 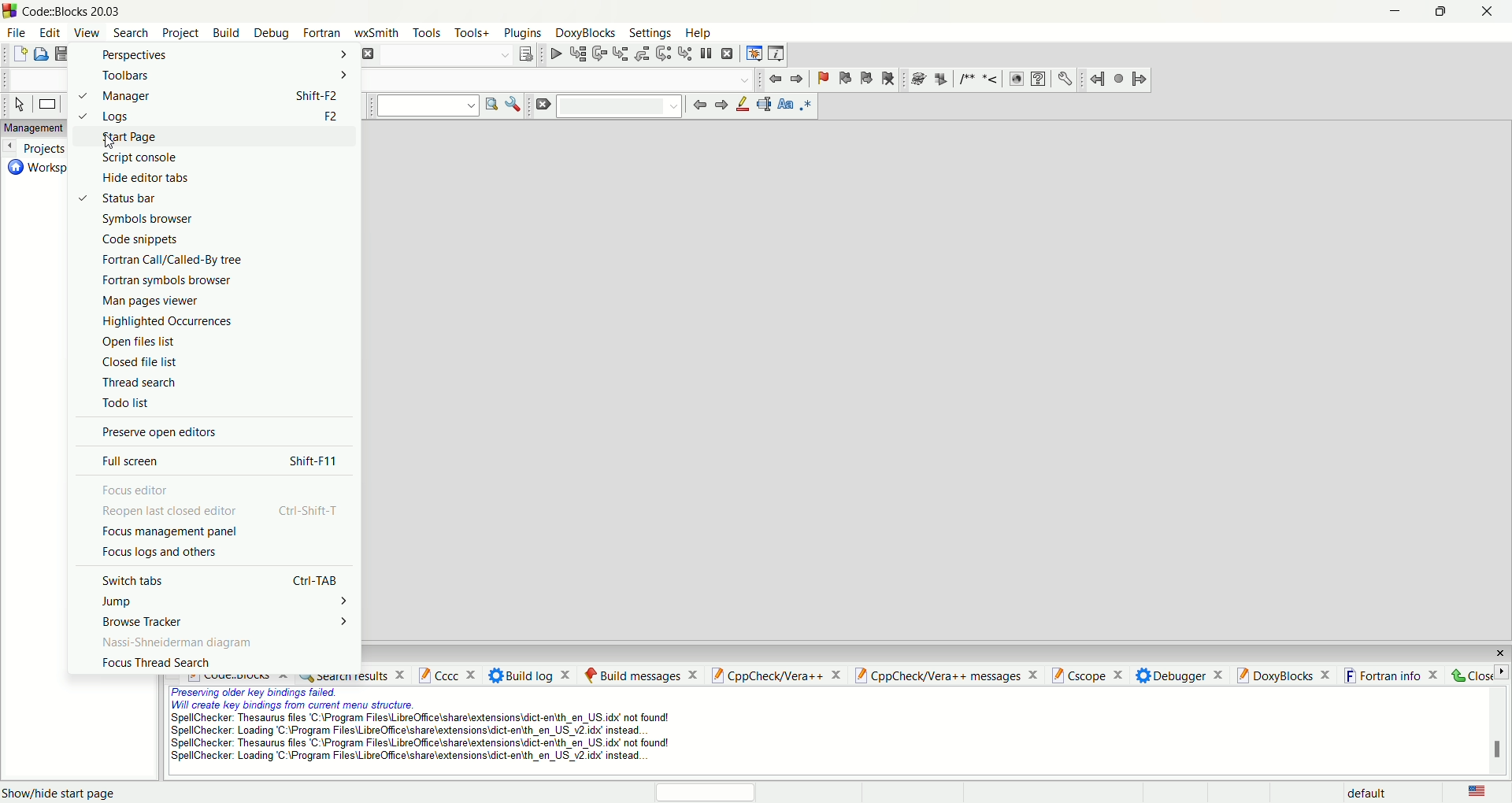 I want to click on Extract, so click(x=937, y=76).